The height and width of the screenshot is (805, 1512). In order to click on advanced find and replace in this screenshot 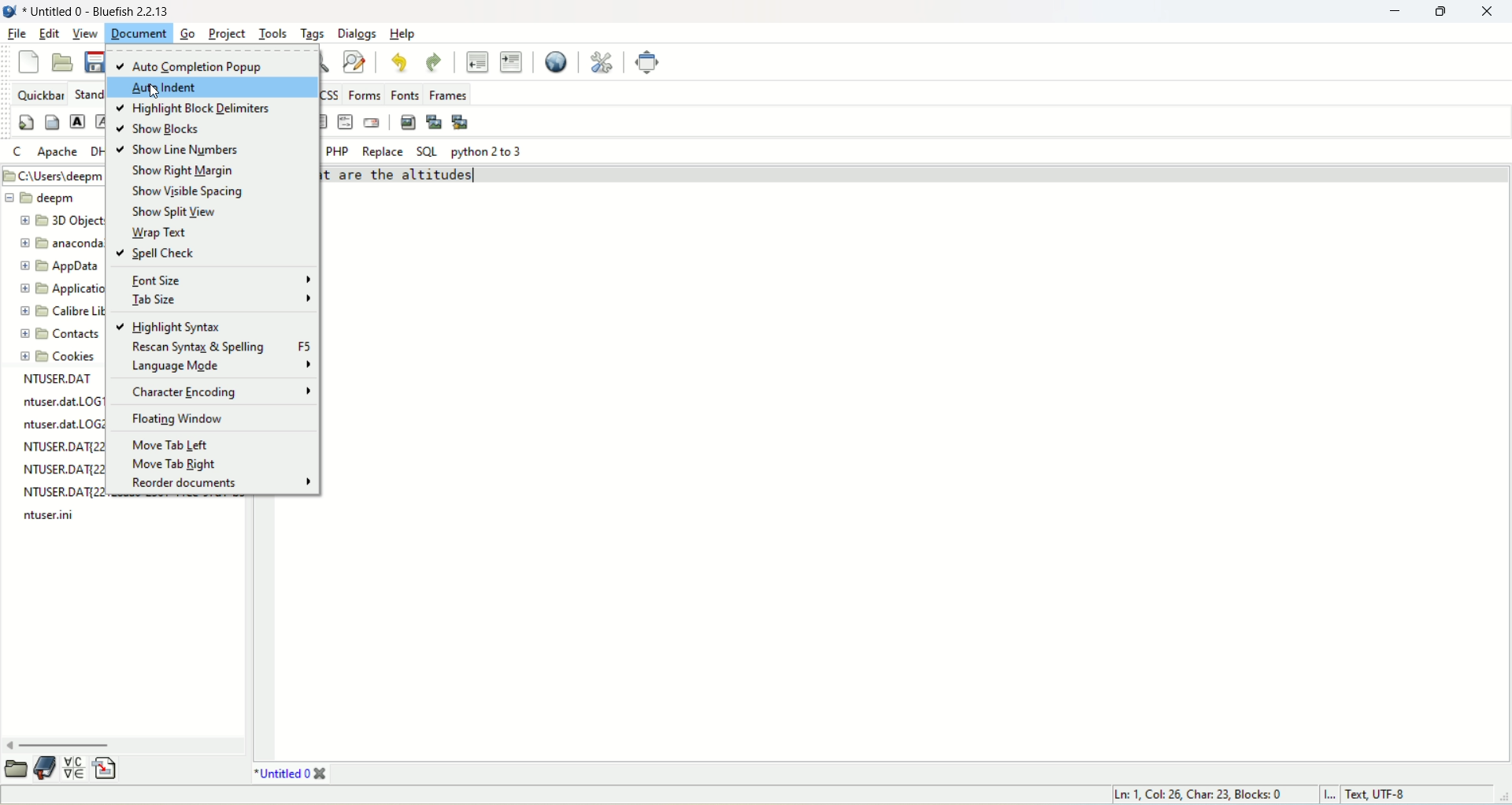, I will do `click(357, 61)`.